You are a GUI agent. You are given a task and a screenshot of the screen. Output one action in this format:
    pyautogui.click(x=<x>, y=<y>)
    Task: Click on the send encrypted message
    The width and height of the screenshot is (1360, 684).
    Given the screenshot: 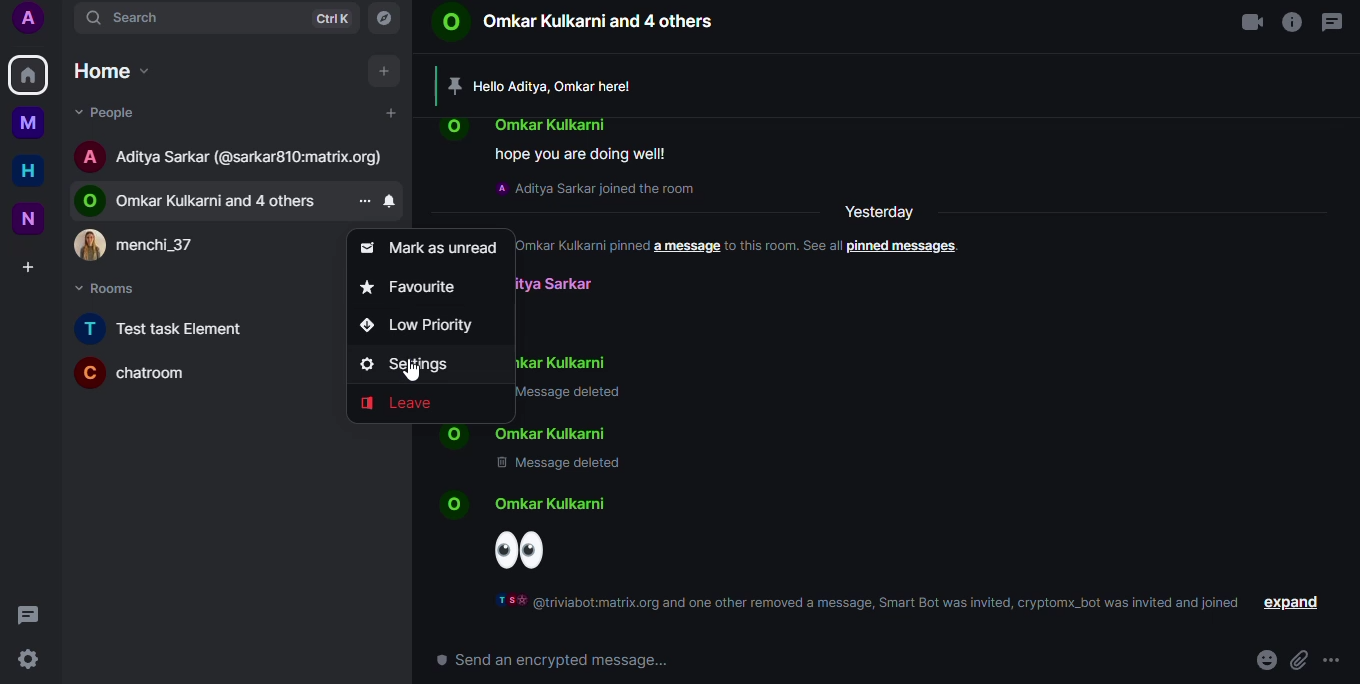 What is the action you would take?
    pyautogui.click(x=542, y=661)
    